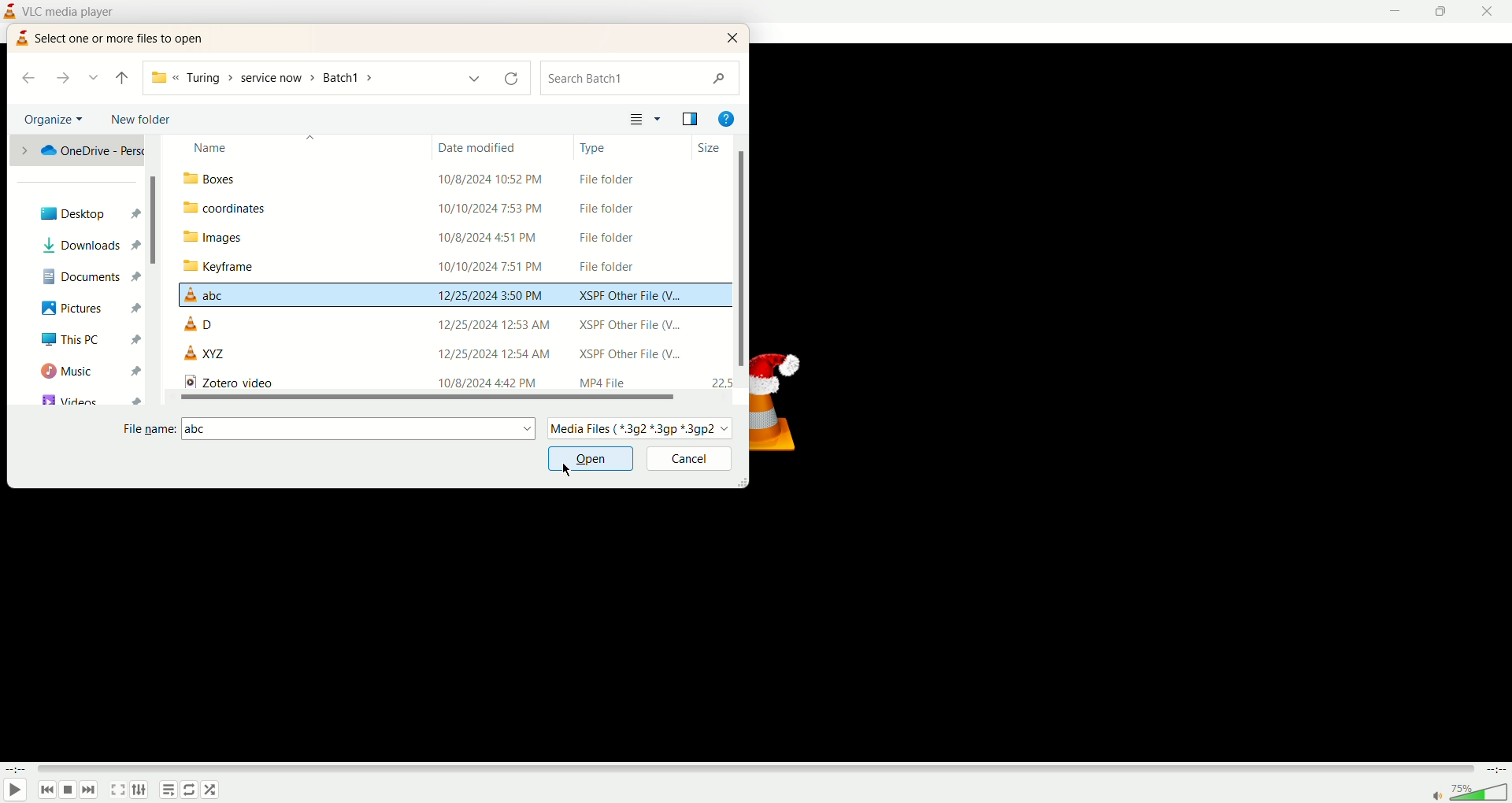 Image resolution: width=1512 pixels, height=803 pixels. Describe the element at coordinates (190, 790) in the screenshot. I see `shuffle` at that location.